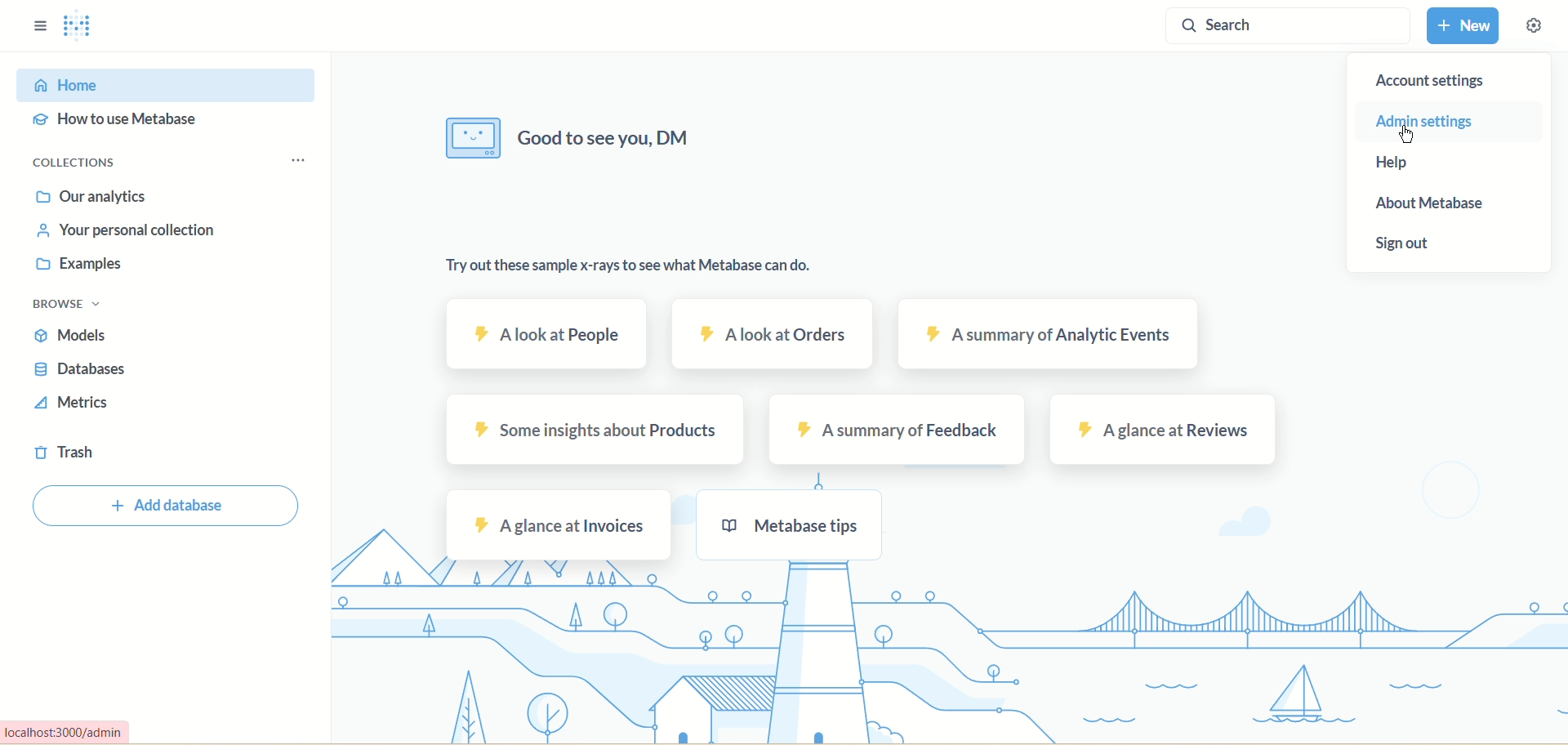 The image size is (1568, 745). Describe the element at coordinates (1163, 430) in the screenshot. I see `a glance at reviews` at that location.